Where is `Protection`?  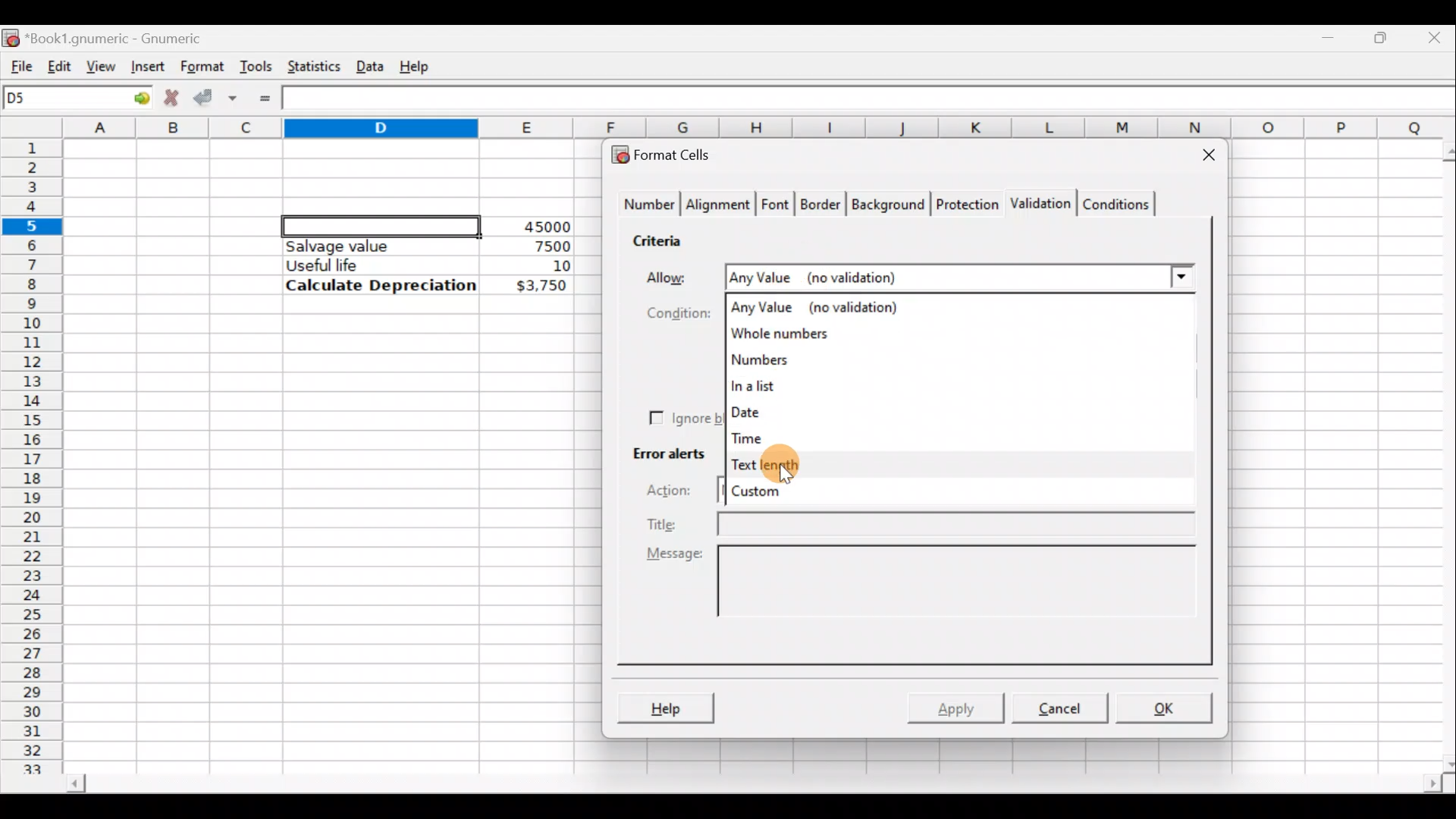 Protection is located at coordinates (964, 206).